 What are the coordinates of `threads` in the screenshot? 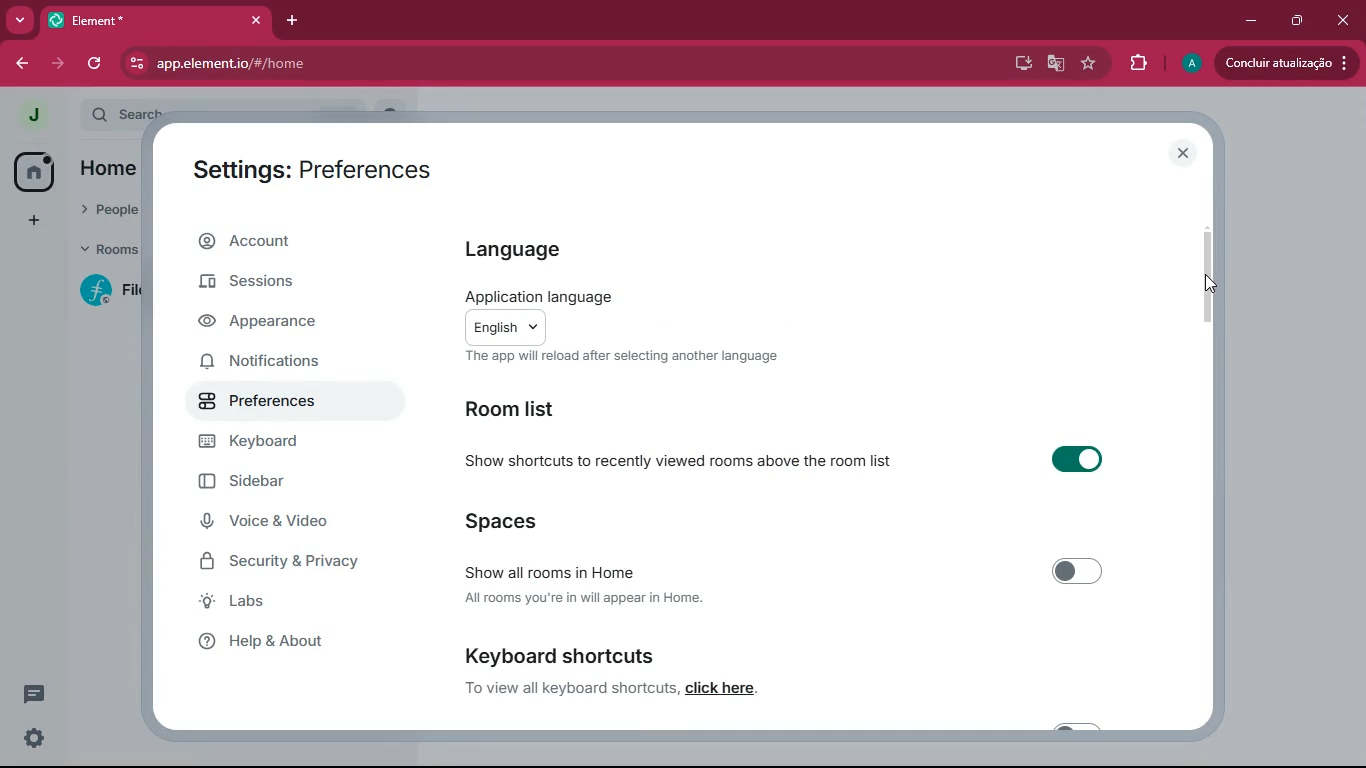 It's located at (32, 695).